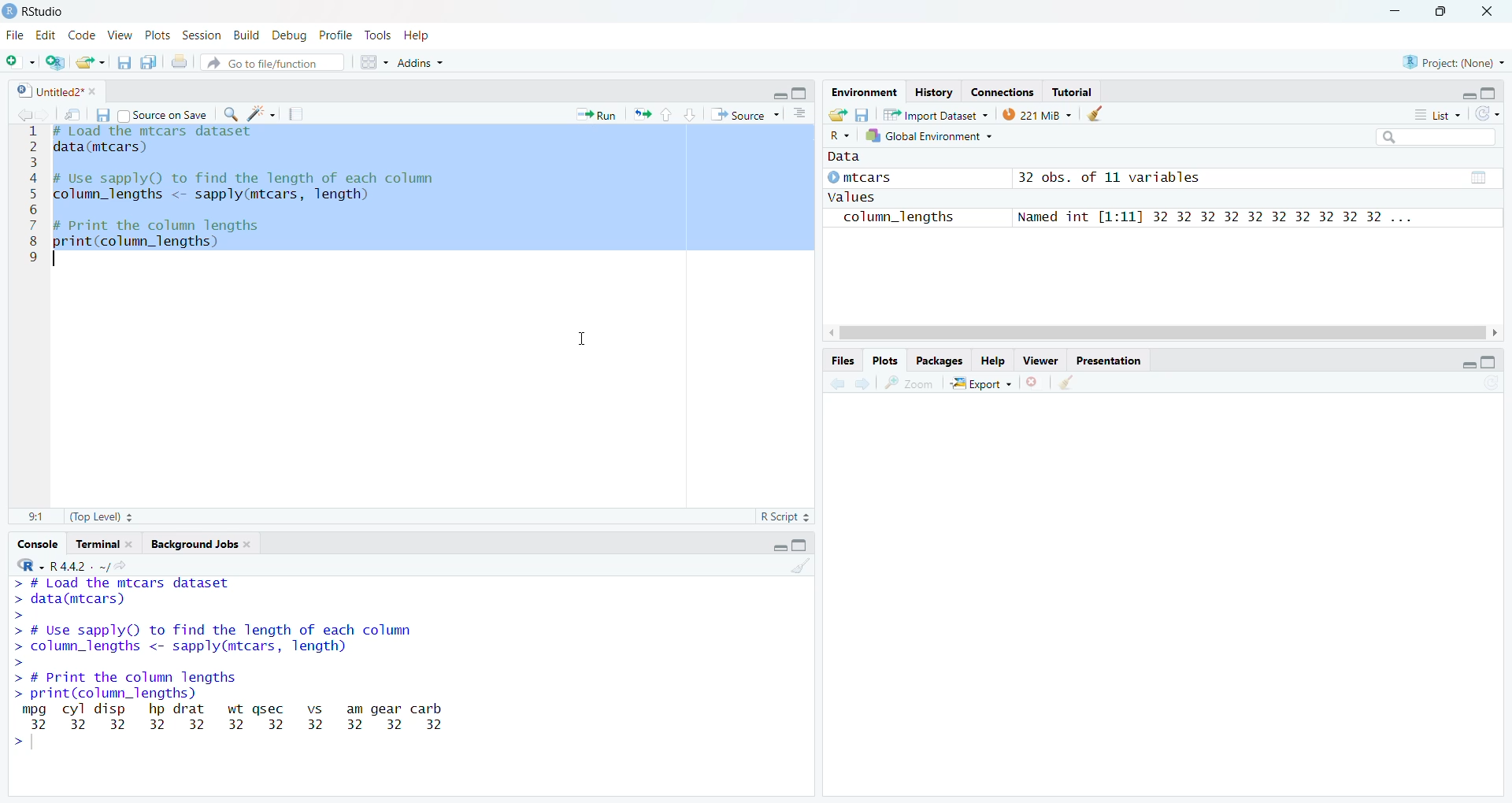  Describe the element at coordinates (102, 115) in the screenshot. I see `Save` at that location.